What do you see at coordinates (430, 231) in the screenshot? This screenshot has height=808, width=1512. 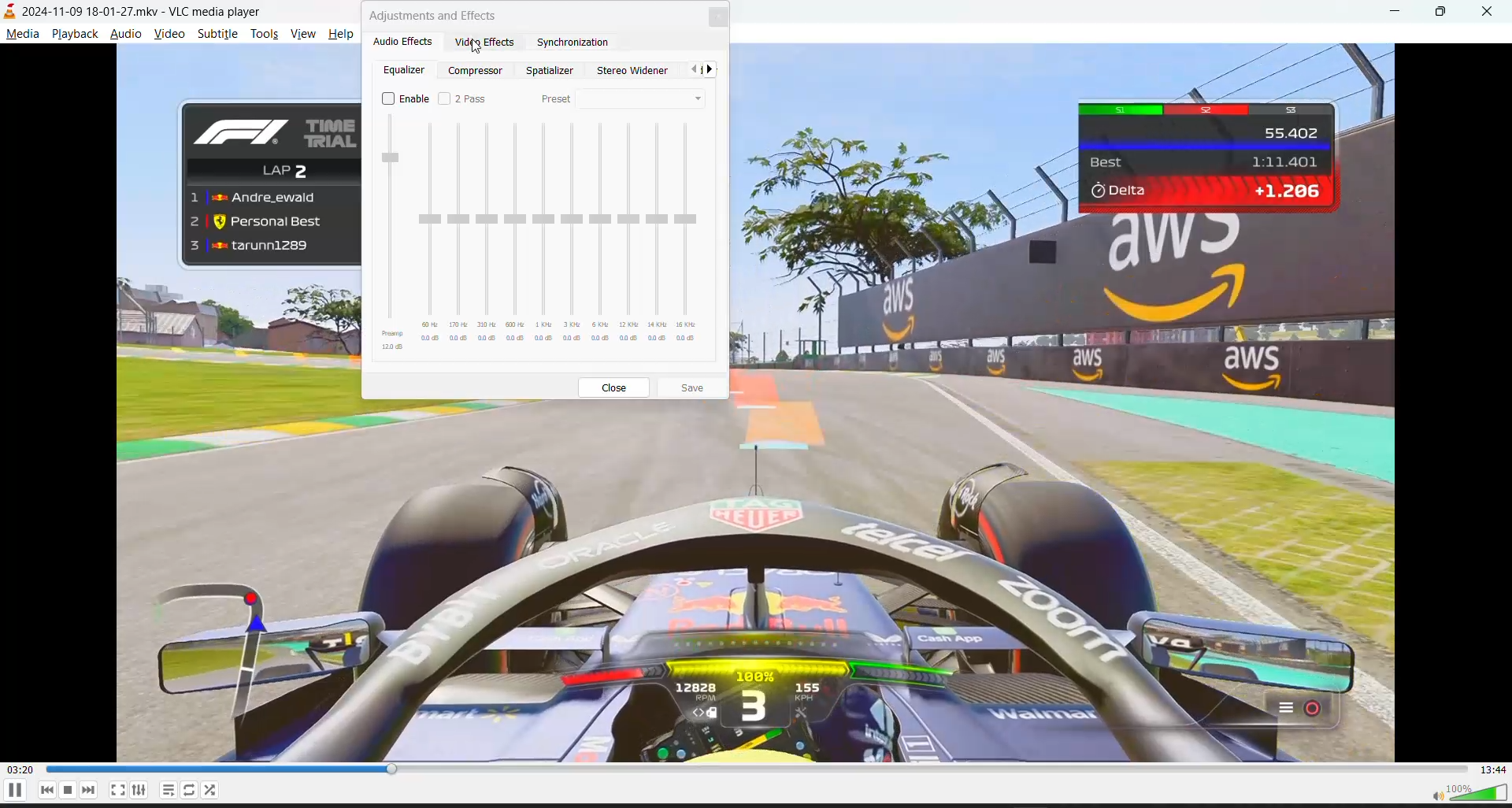 I see `slider` at bounding box center [430, 231].